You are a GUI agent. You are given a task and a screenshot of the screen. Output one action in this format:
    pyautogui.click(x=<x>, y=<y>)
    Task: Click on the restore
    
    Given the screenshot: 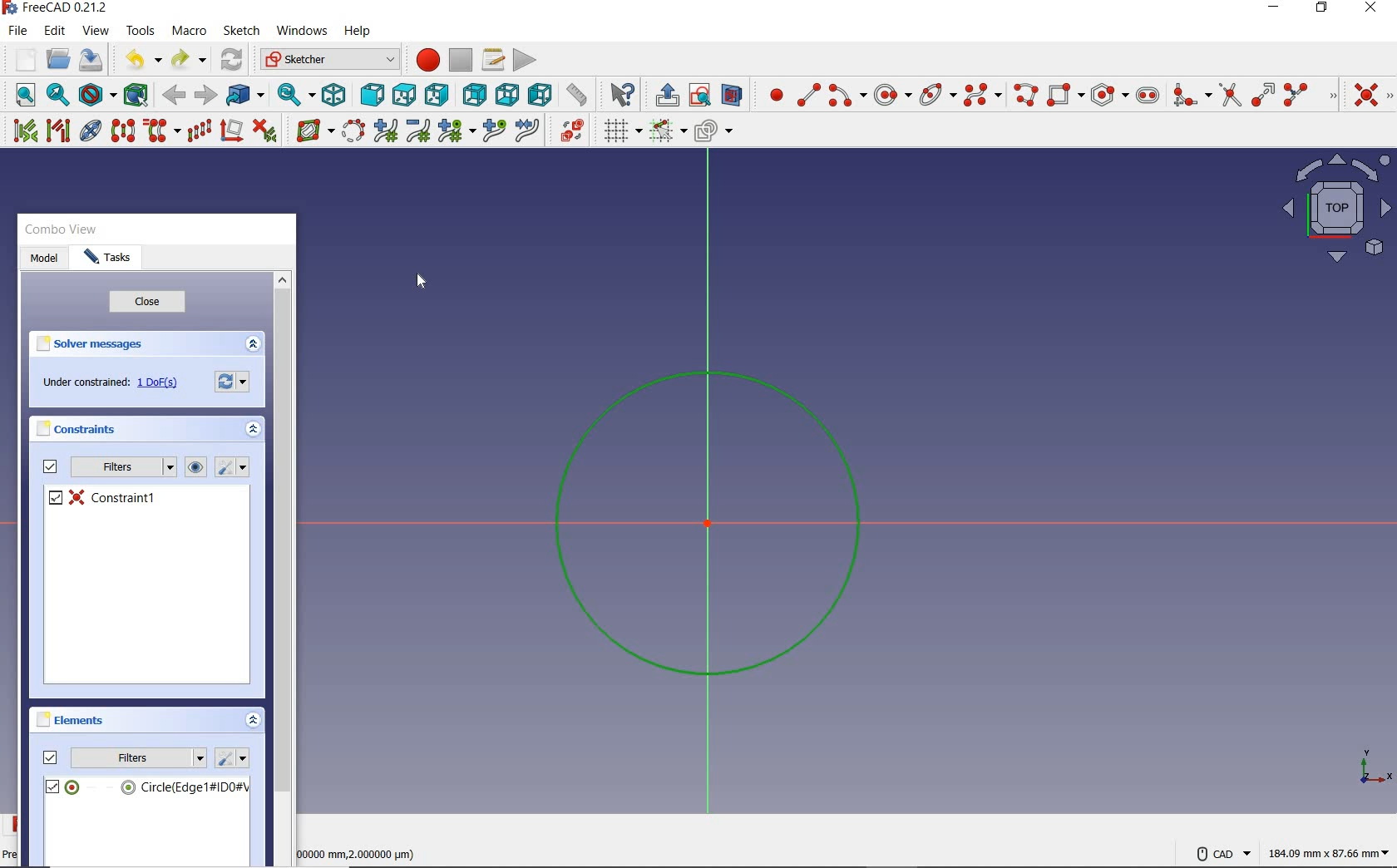 What is the action you would take?
    pyautogui.click(x=1323, y=8)
    